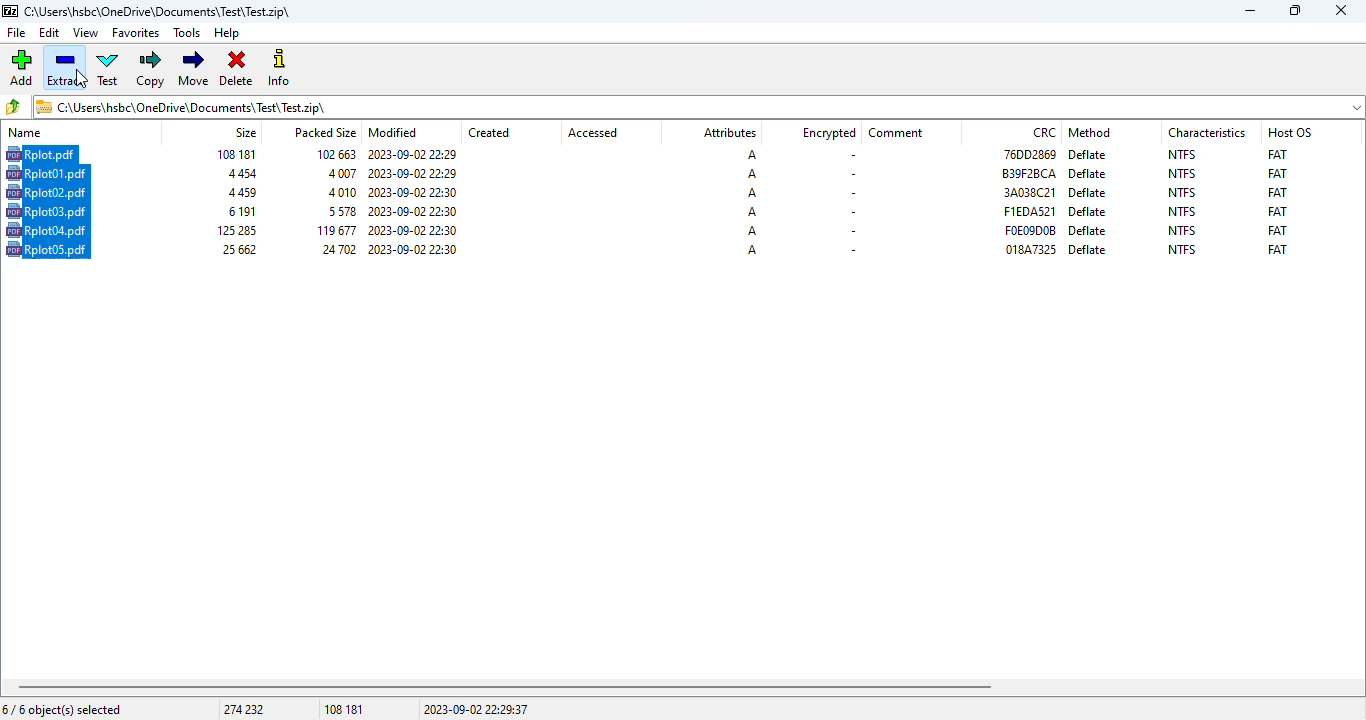 This screenshot has width=1366, height=720. Describe the element at coordinates (413, 230) in the screenshot. I see `modified date & time` at that location.